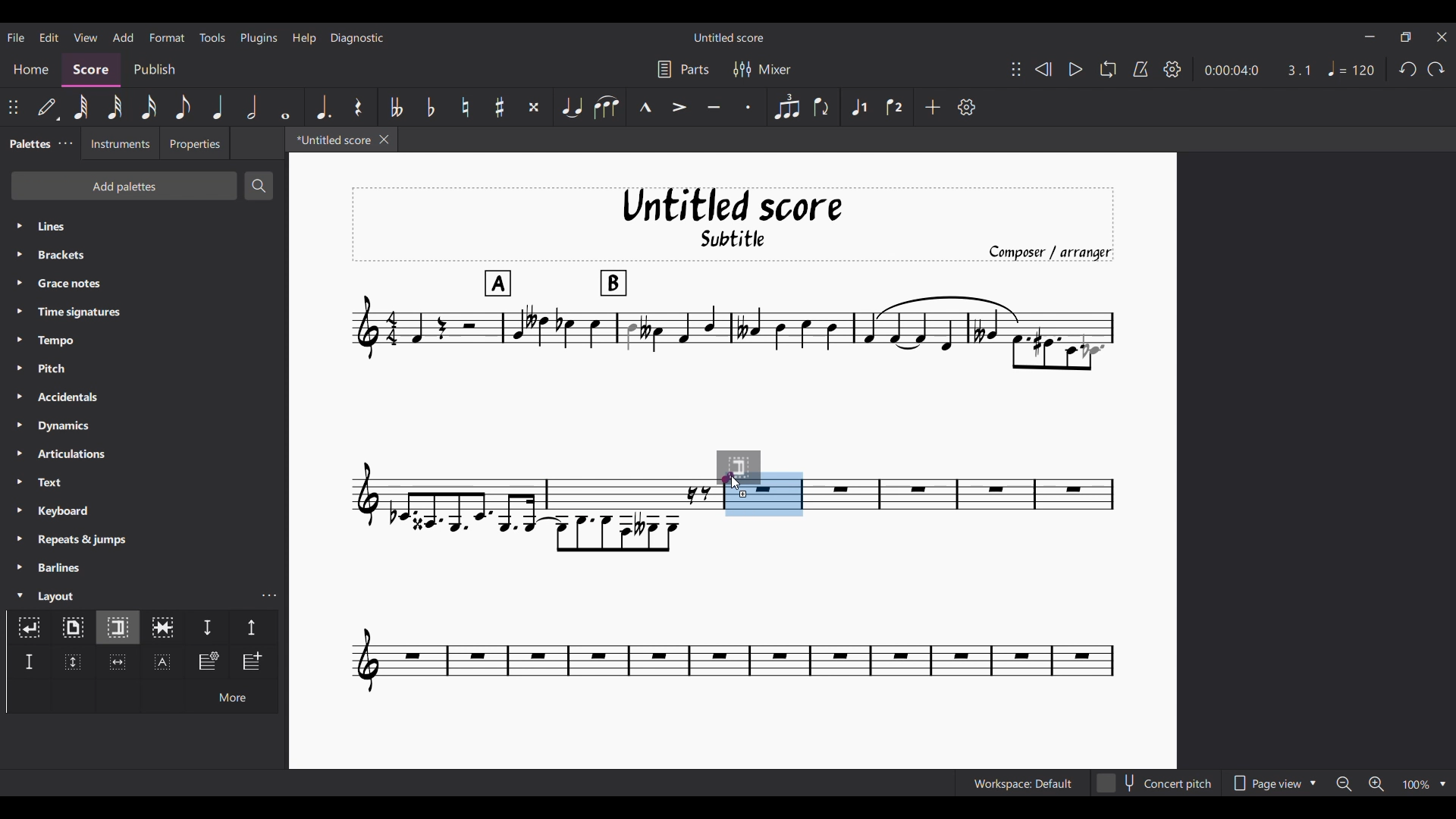 The image size is (1456, 819). I want to click on Flip direction, so click(822, 106).